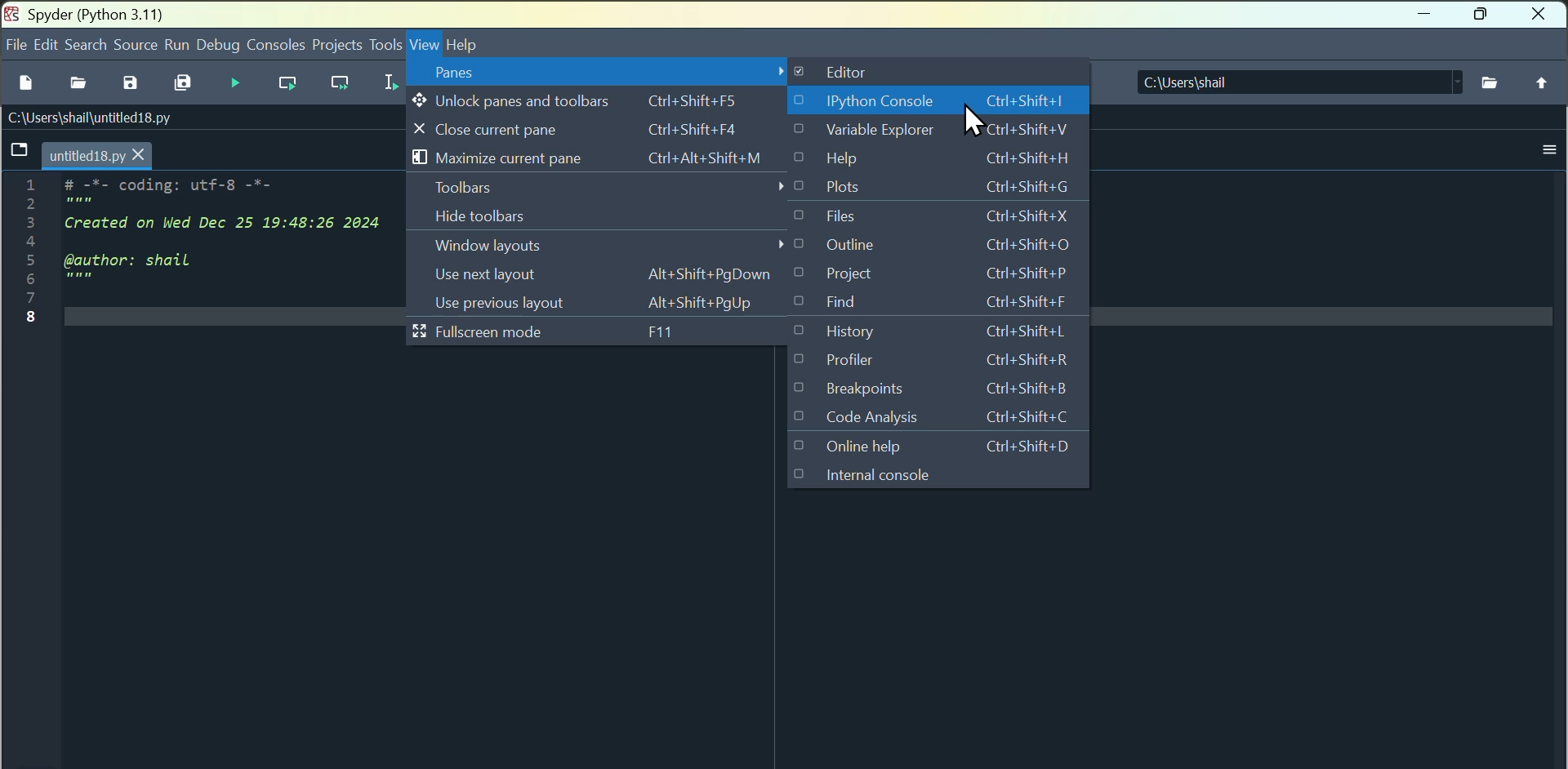  Describe the element at coordinates (1490, 82) in the screenshot. I see `browse folder` at that location.